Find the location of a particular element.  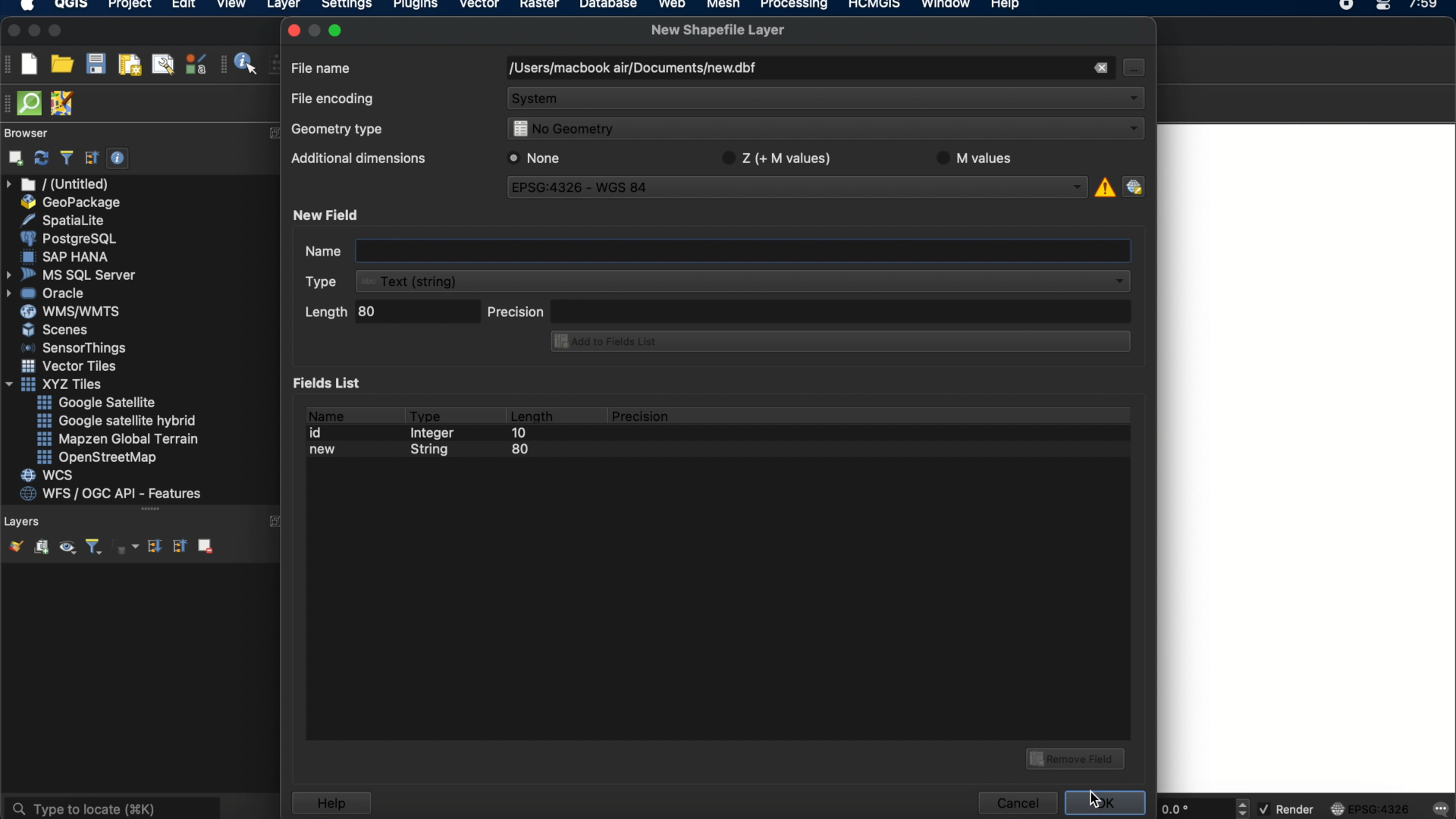

length is located at coordinates (531, 413).